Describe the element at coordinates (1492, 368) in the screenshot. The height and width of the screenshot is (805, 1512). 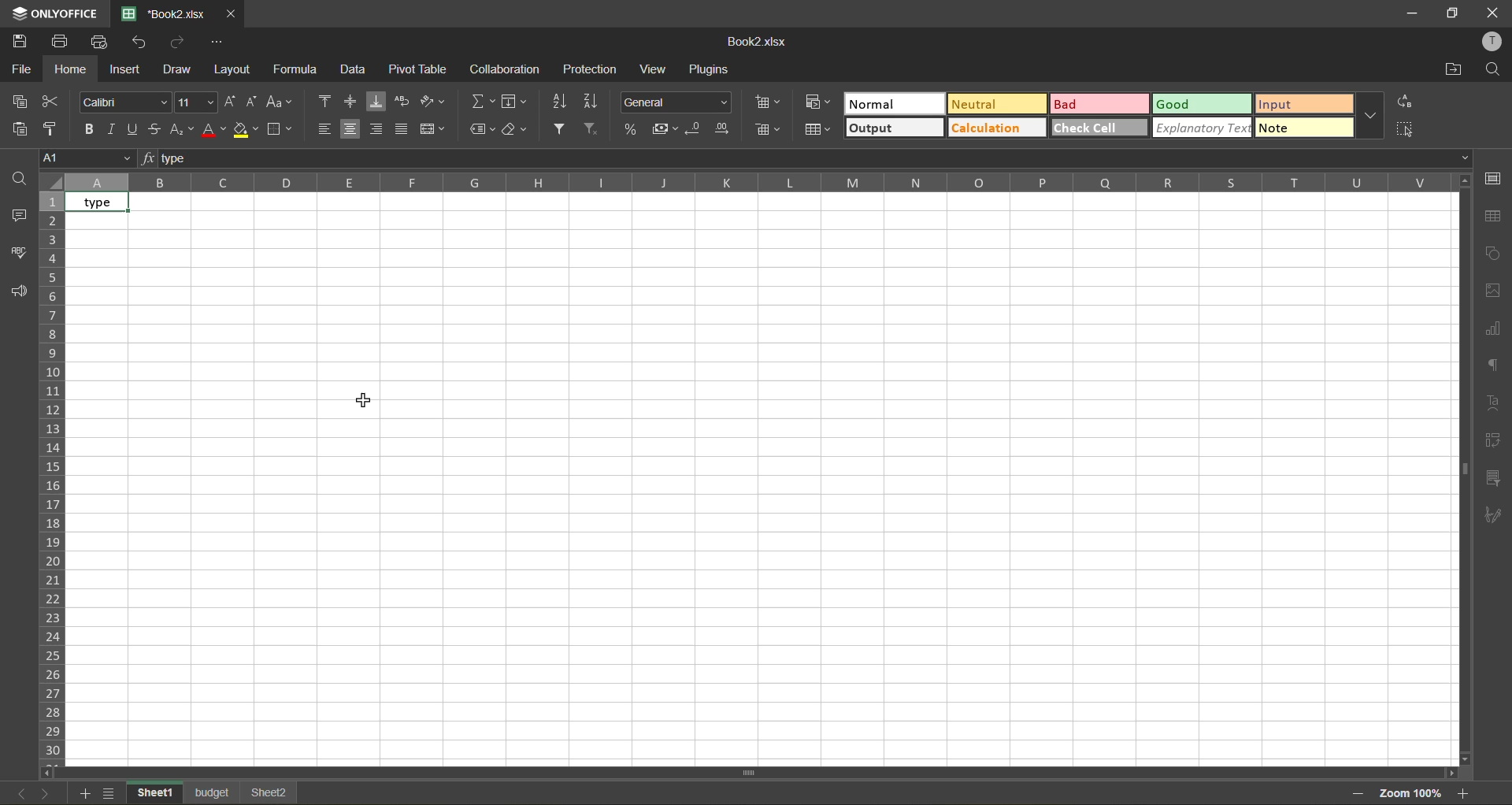
I see `paragraph` at that location.